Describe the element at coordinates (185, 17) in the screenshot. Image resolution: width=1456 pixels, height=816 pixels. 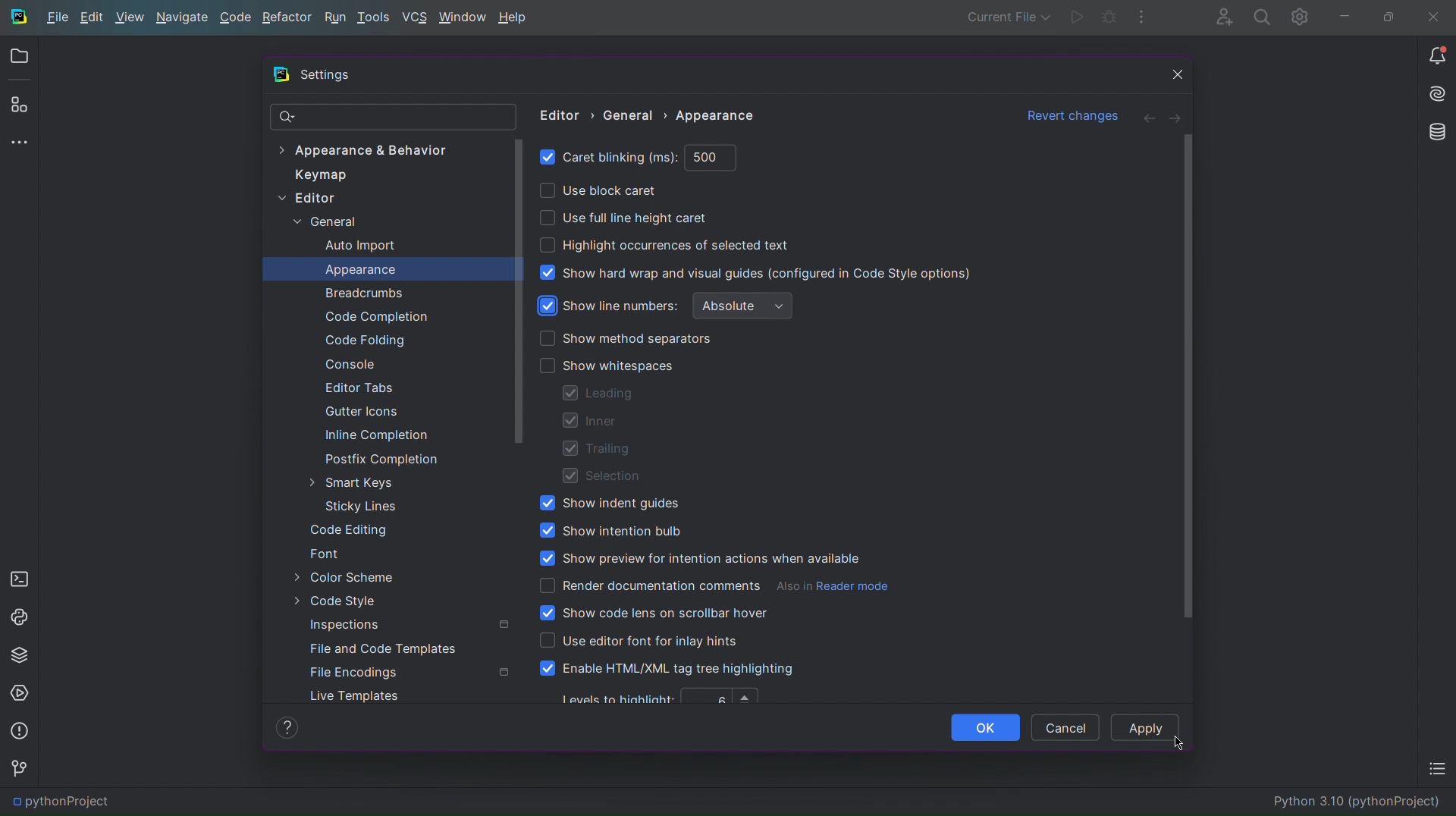
I see `Navigate` at that location.